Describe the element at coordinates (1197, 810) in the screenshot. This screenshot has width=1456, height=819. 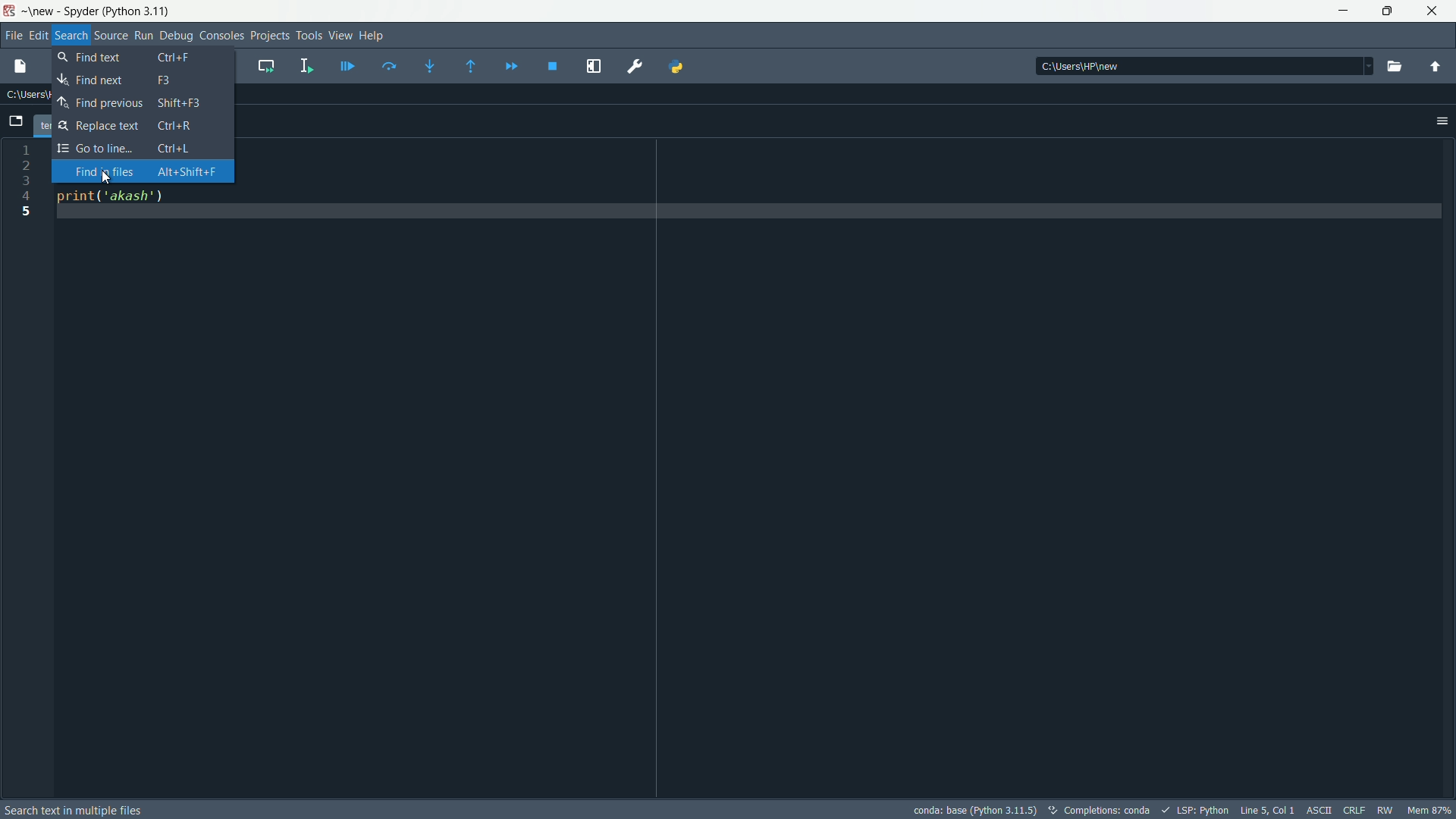
I see `LSP:Python` at that location.